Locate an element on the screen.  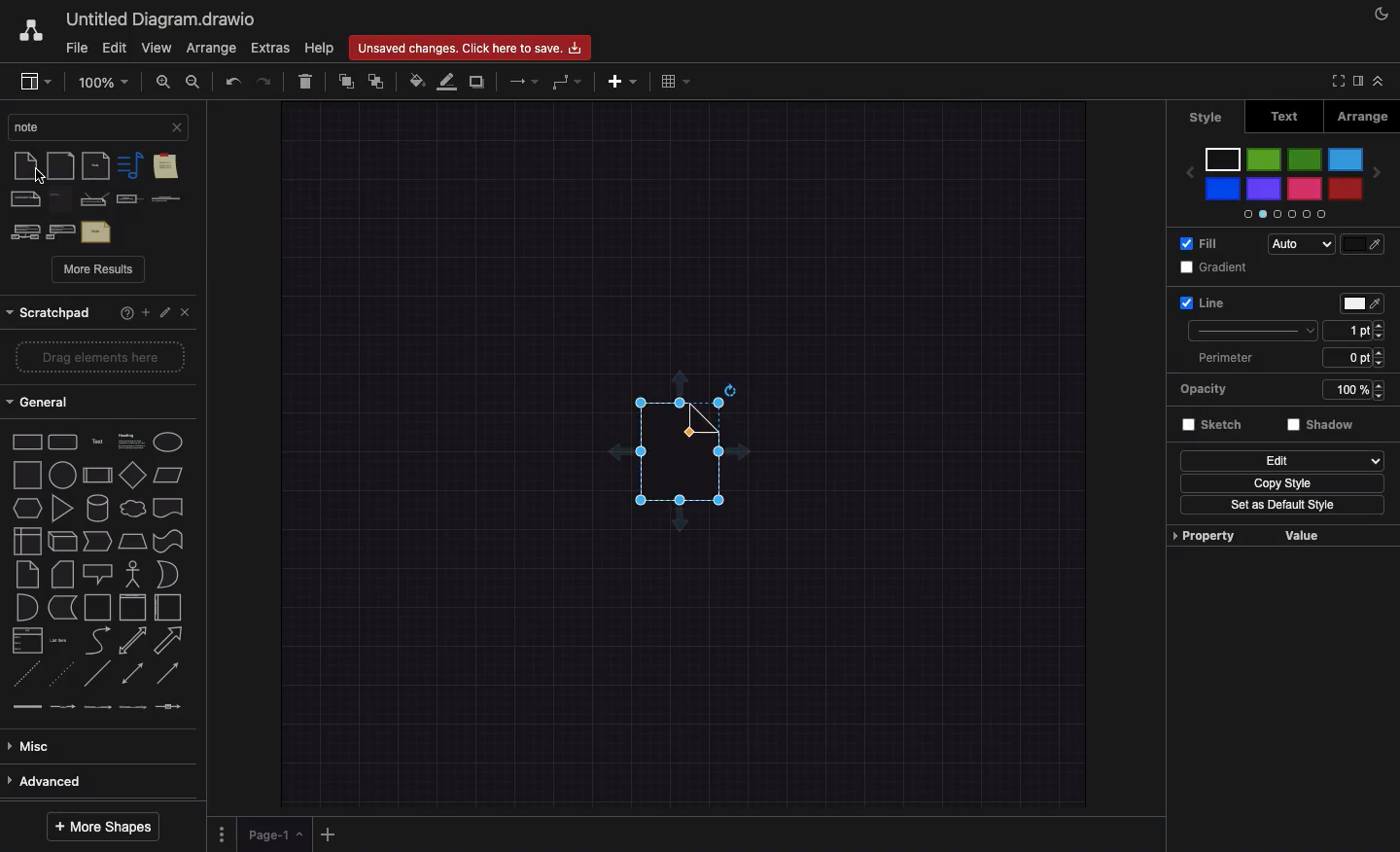
sticky note is located at coordinates (164, 168).